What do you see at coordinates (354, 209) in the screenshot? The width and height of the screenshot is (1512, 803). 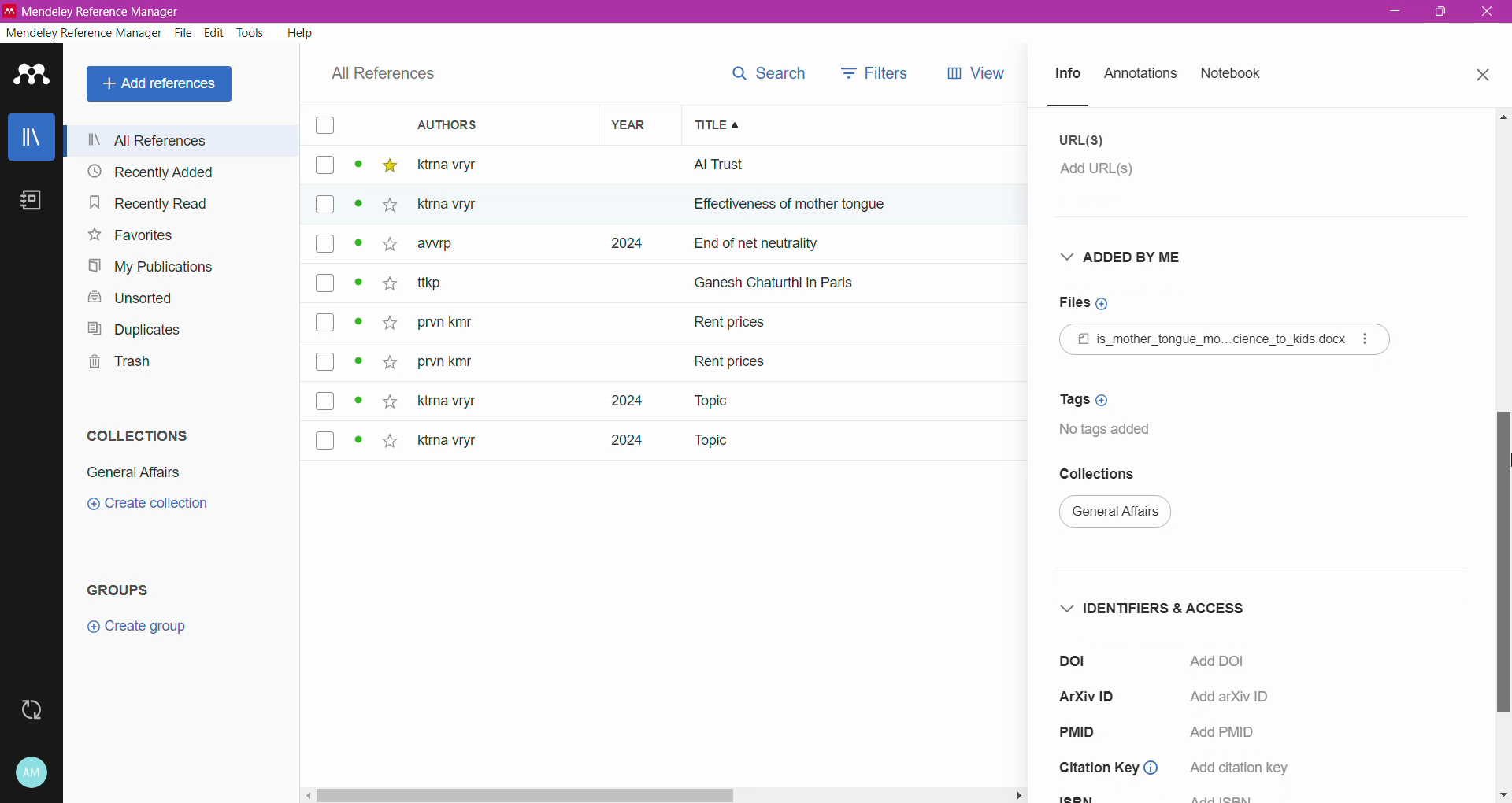 I see `dot ` at bounding box center [354, 209].